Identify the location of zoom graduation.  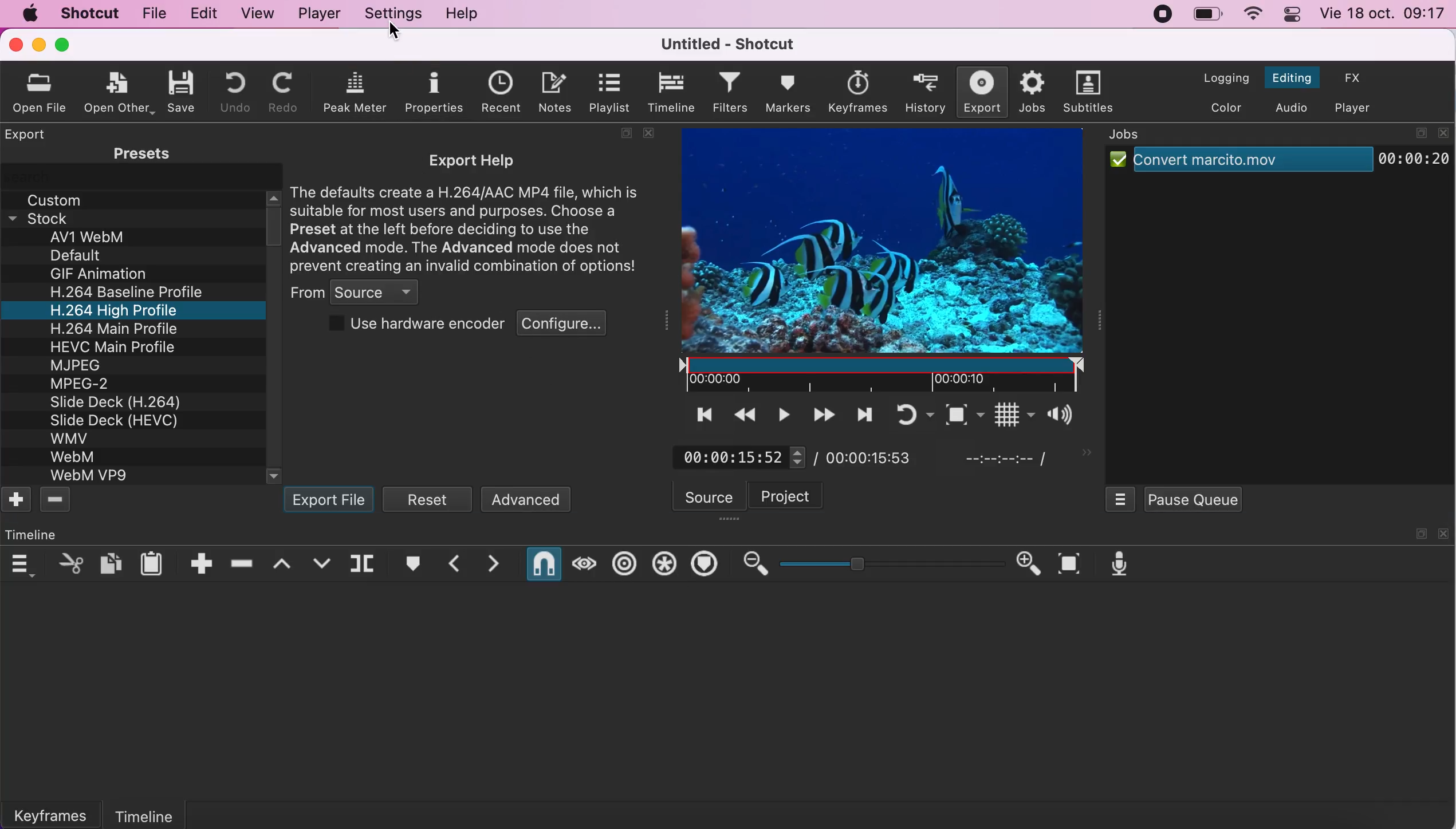
(890, 563).